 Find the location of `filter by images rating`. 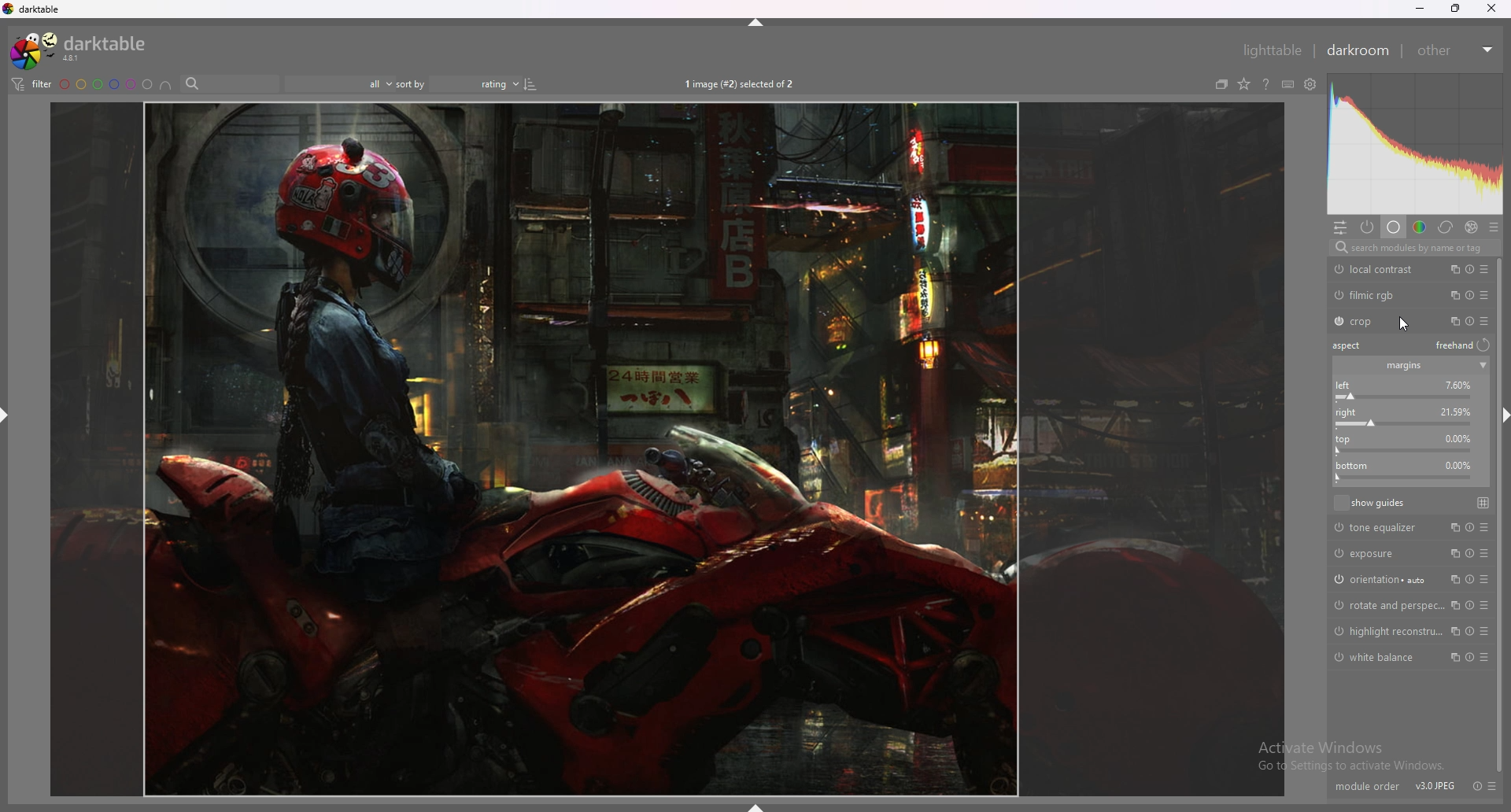

filter by images rating is located at coordinates (339, 83).